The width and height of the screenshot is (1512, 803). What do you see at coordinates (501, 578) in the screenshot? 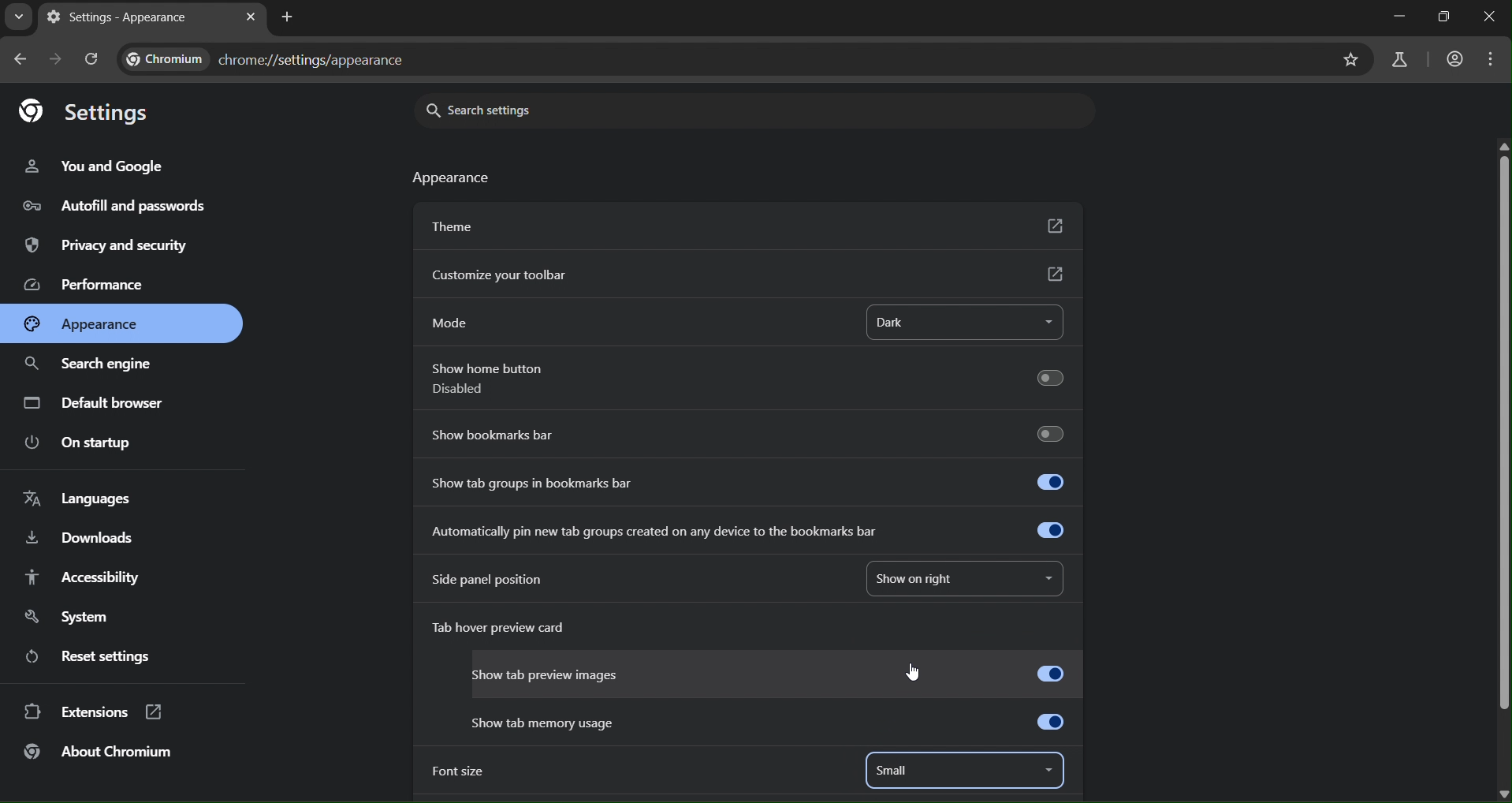
I see `side panel position` at bounding box center [501, 578].